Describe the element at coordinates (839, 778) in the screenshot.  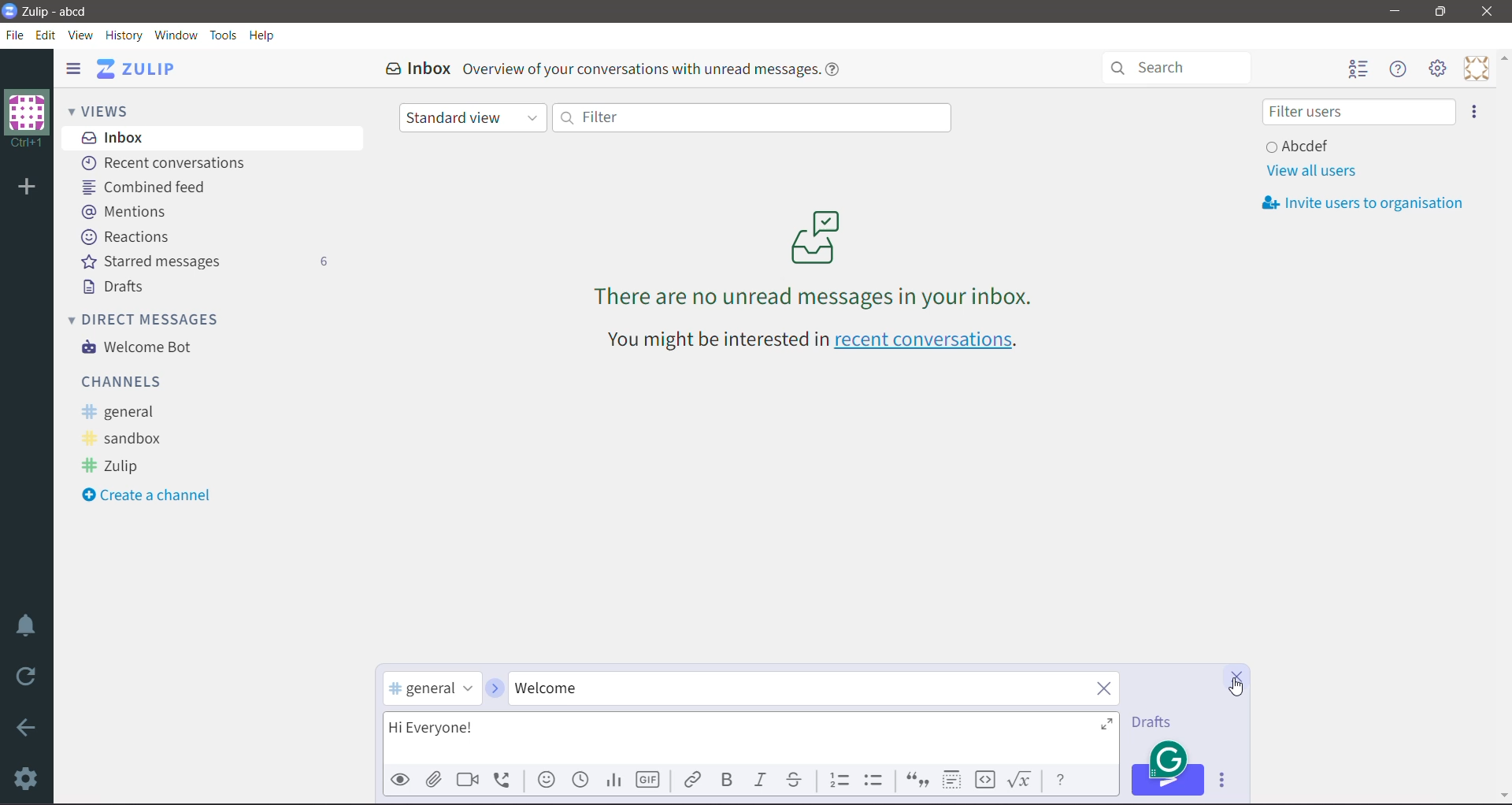
I see `Numbered list` at that location.